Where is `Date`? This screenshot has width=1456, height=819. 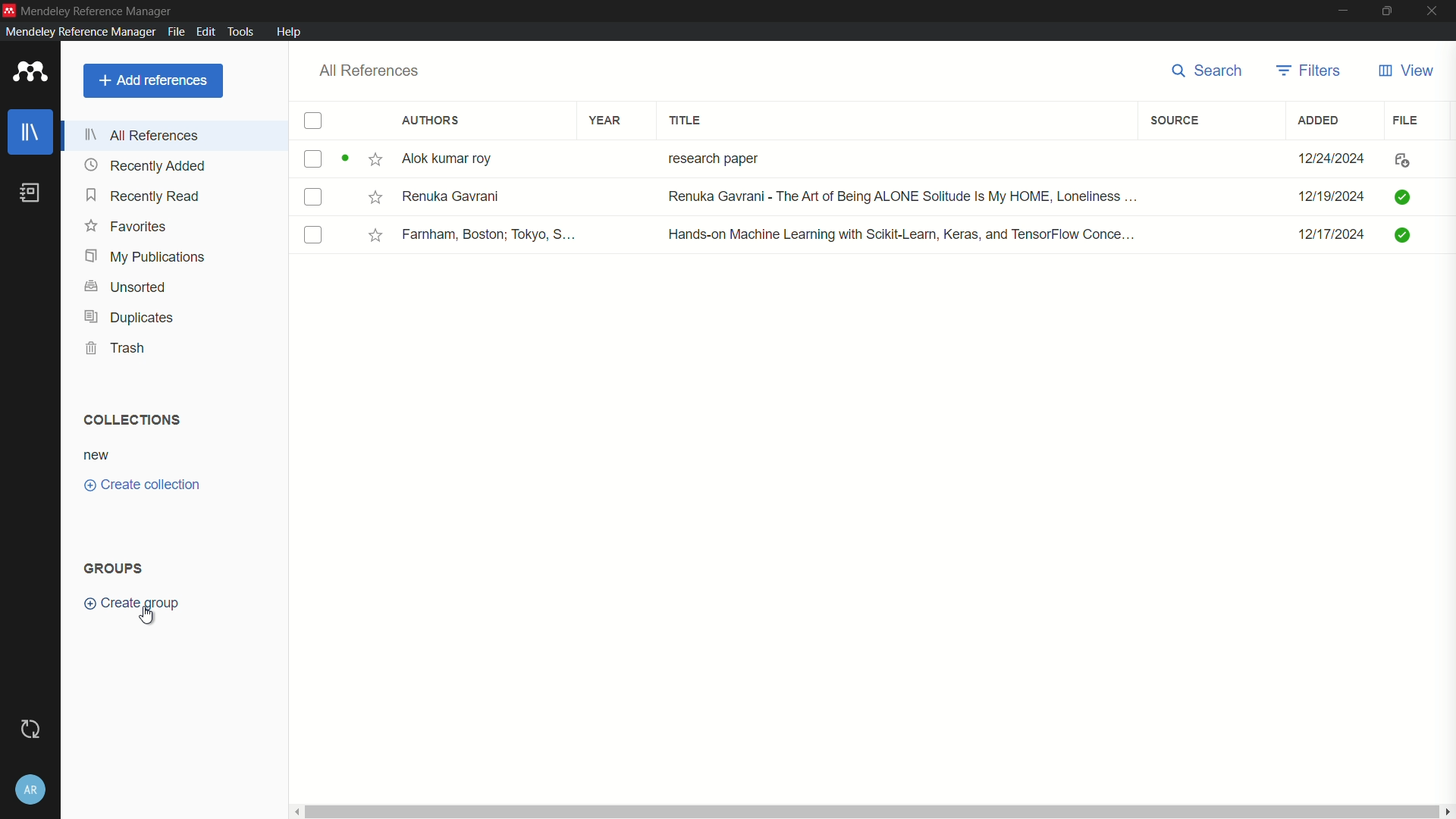 Date is located at coordinates (1329, 197).